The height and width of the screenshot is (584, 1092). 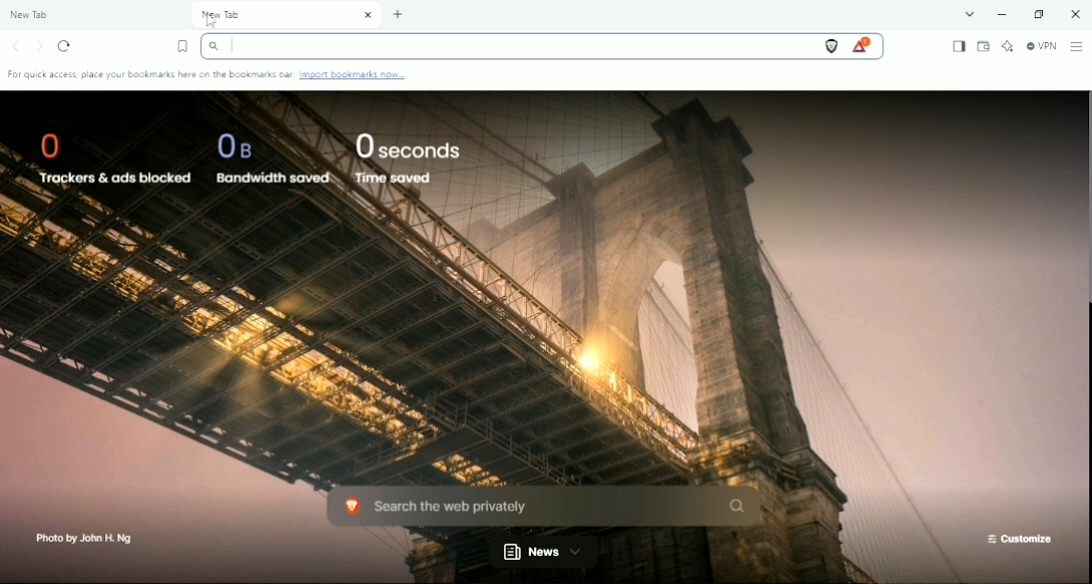 What do you see at coordinates (271, 157) in the screenshot?
I see `0B Bandwidth saved` at bounding box center [271, 157].